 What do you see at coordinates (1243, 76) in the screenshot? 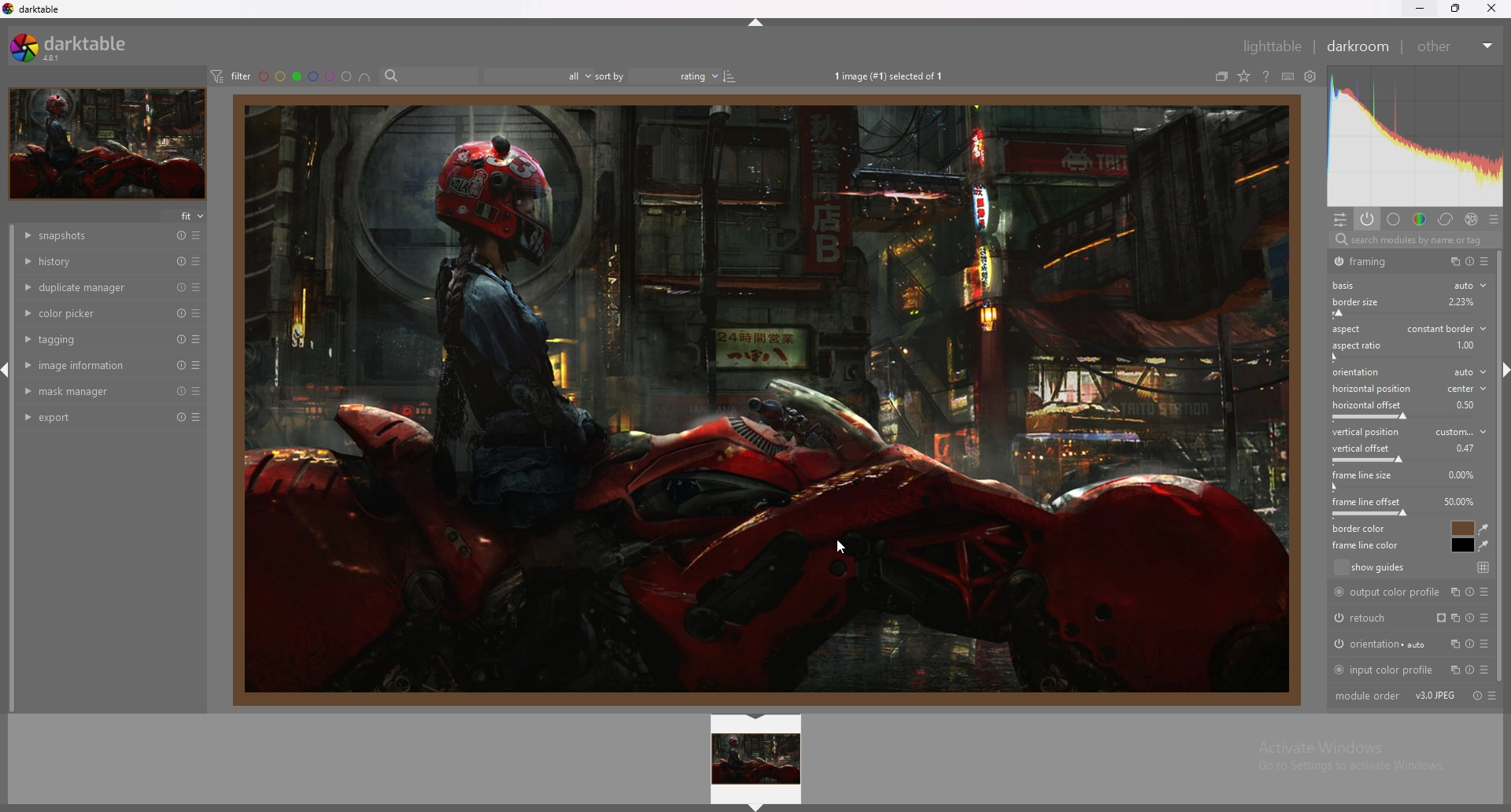
I see `change type of overlays shown` at bounding box center [1243, 76].